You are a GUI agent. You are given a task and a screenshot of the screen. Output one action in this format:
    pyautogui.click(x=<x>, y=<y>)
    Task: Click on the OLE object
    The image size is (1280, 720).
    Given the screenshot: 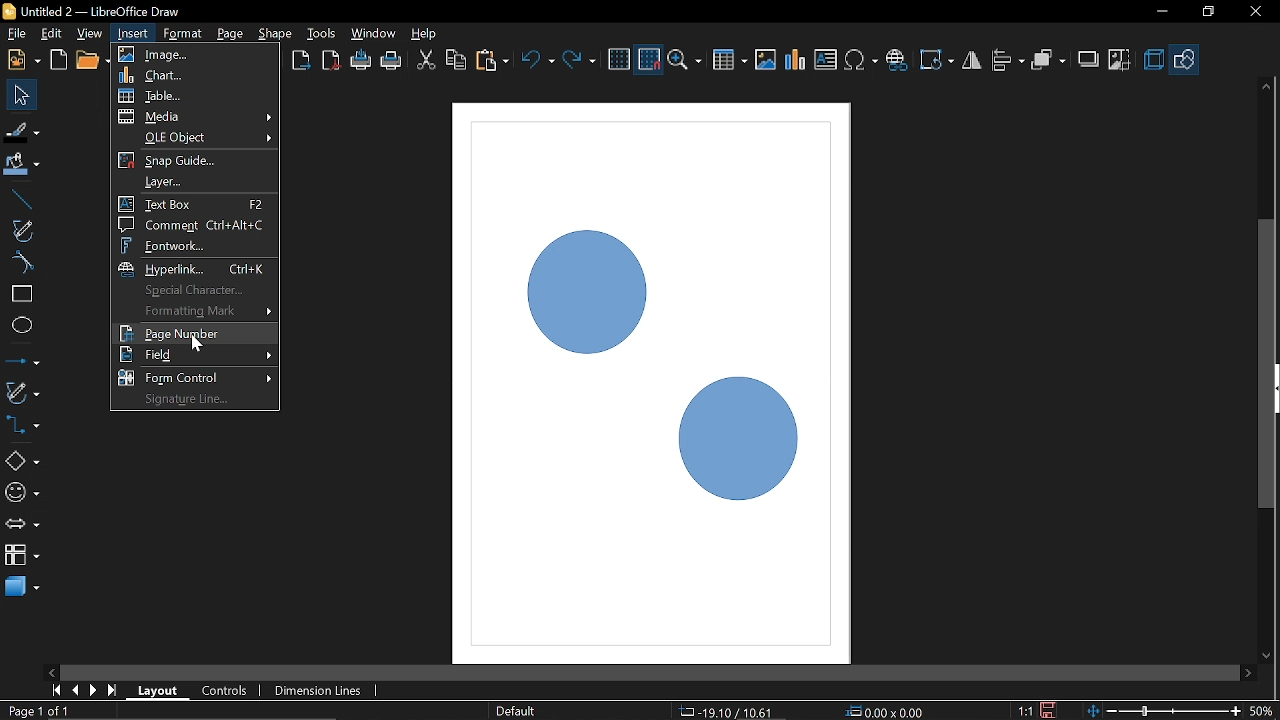 What is the action you would take?
    pyautogui.click(x=195, y=139)
    